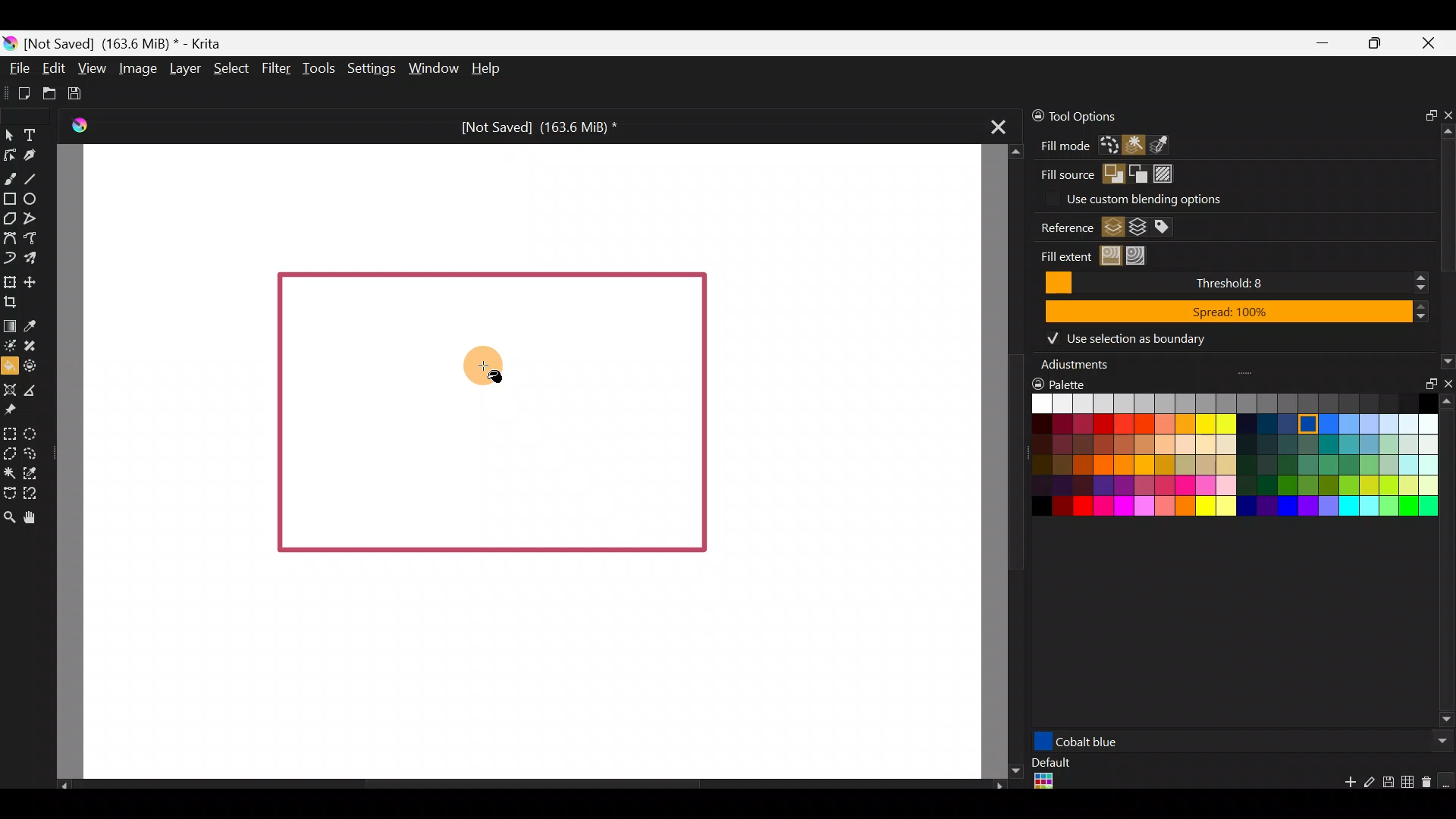 Image resolution: width=1456 pixels, height=819 pixels. I want to click on Spread, so click(1235, 310).